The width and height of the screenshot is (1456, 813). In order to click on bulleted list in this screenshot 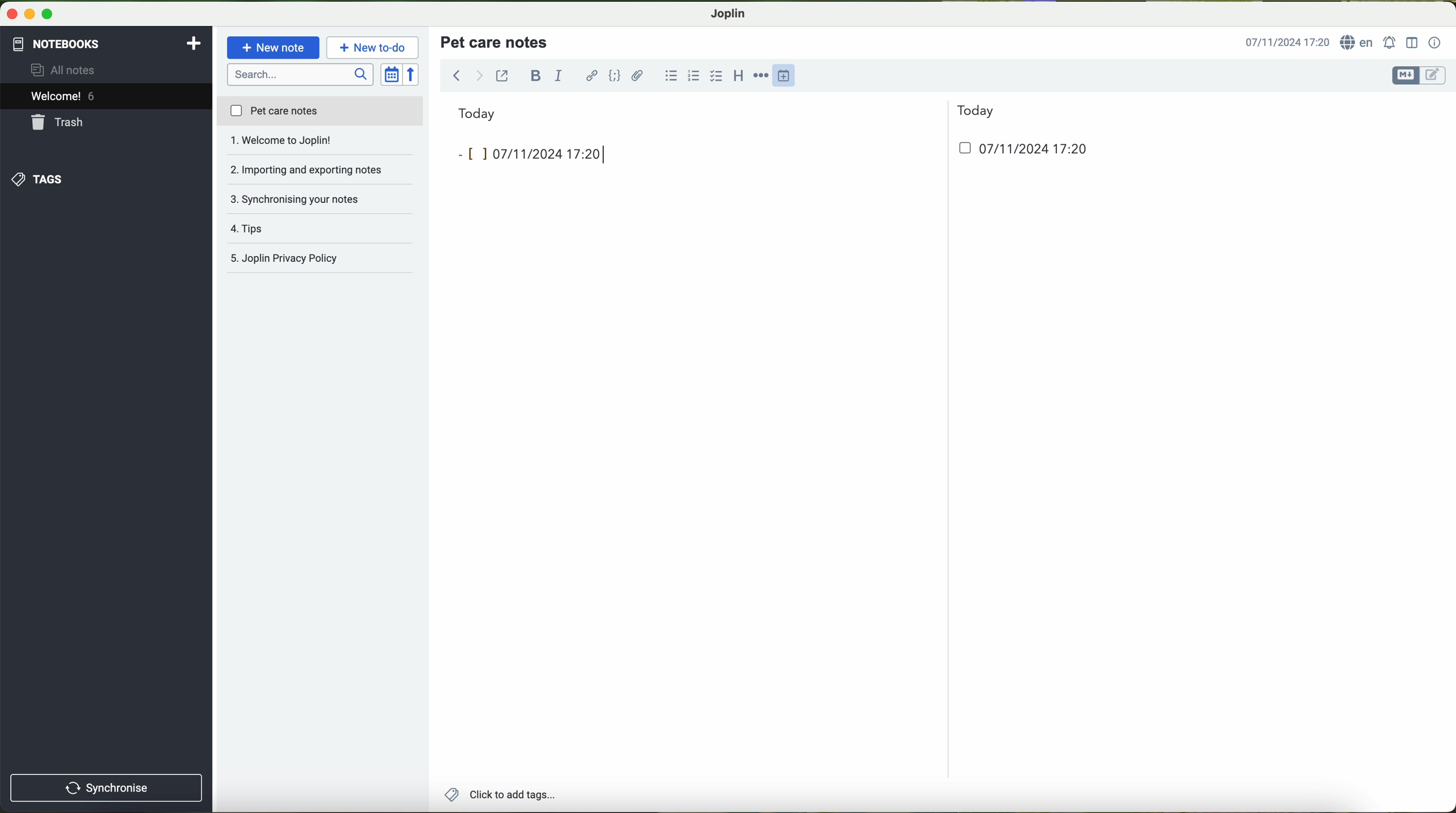, I will do `click(669, 76)`.